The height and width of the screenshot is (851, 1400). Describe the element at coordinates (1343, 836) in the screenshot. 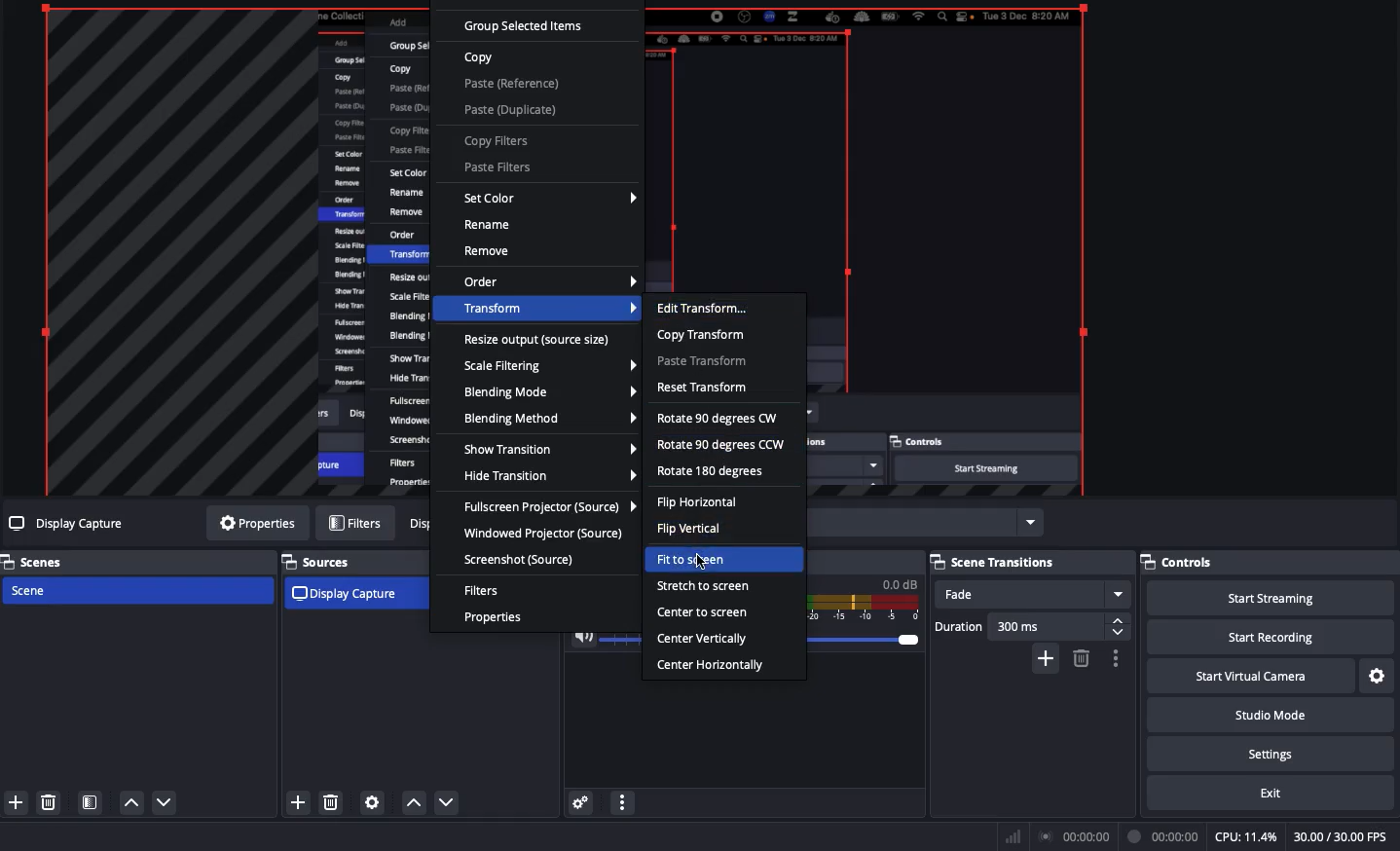

I see `FPS` at that location.